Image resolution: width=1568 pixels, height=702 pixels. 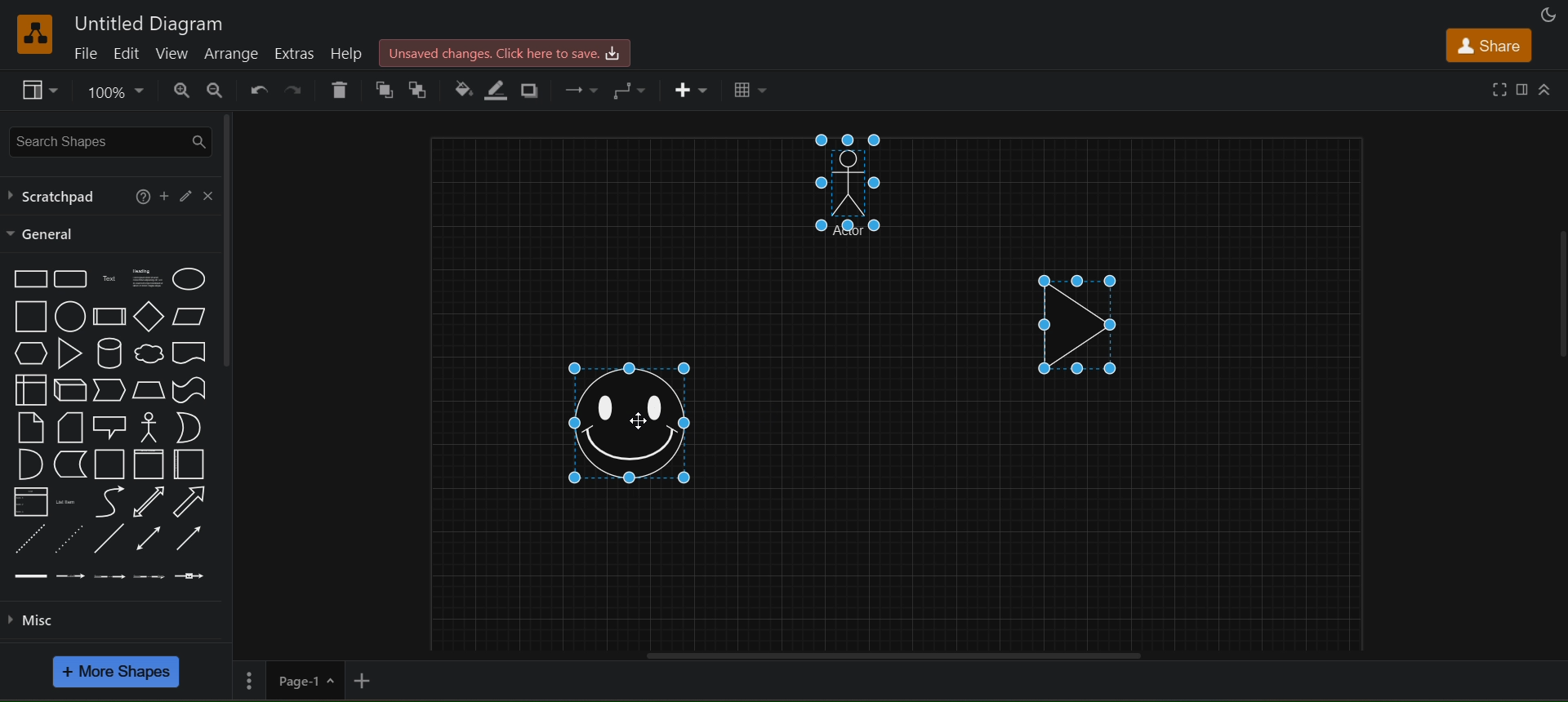 I want to click on hexagon, so click(x=28, y=353).